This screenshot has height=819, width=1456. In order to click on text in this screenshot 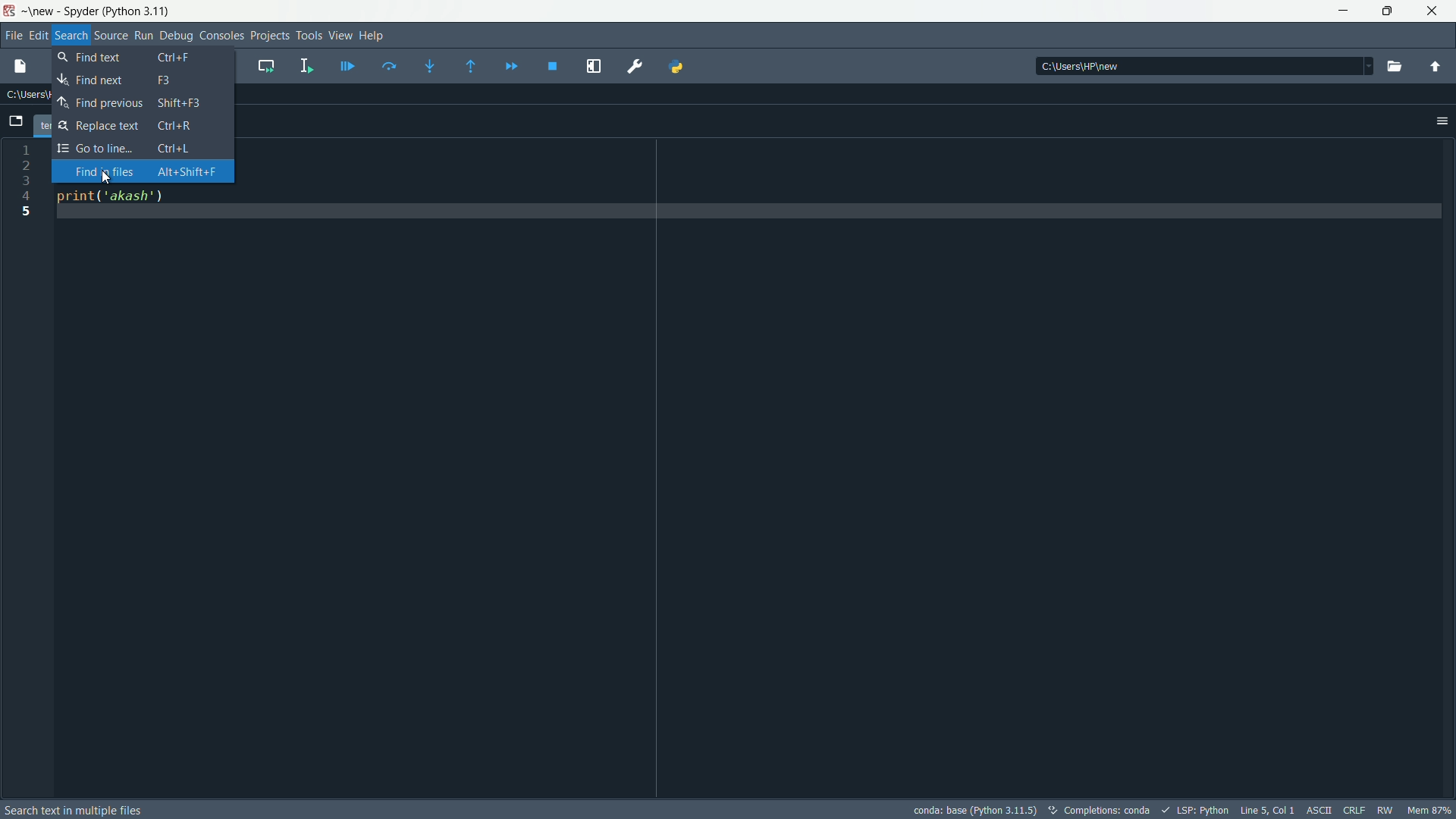, I will do `click(1102, 811)`.